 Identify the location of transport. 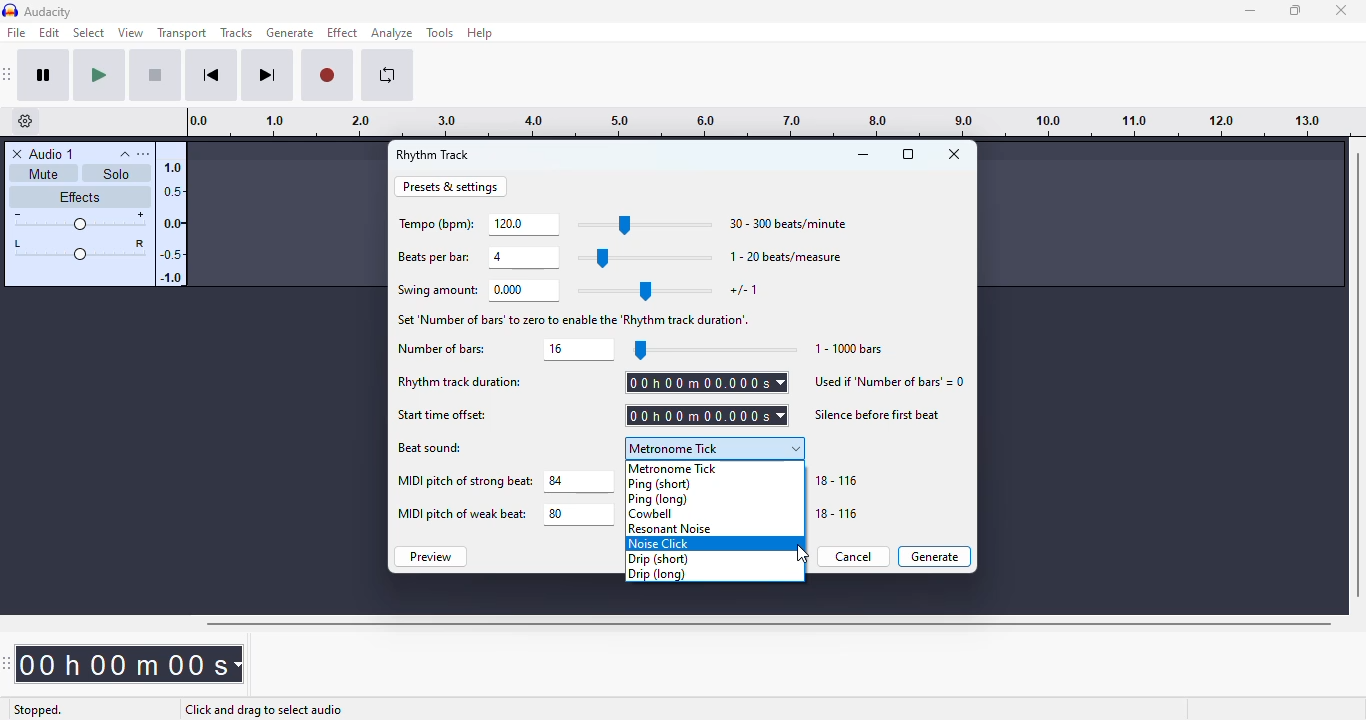
(181, 33).